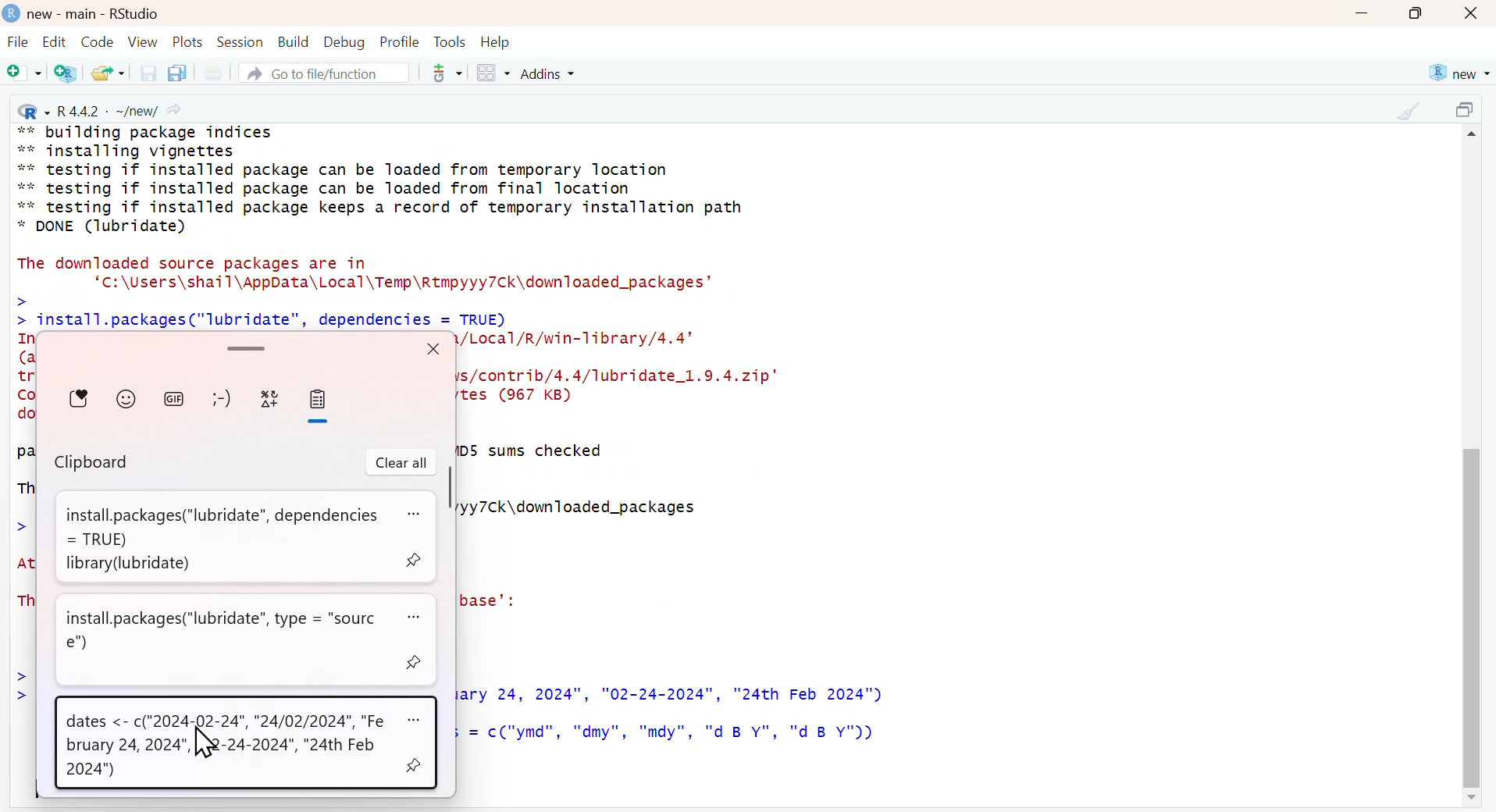 The height and width of the screenshot is (812, 1496). What do you see at coordinates (293, 42) in the screenshot?
I see `Build` at bounding box center [293, 42].